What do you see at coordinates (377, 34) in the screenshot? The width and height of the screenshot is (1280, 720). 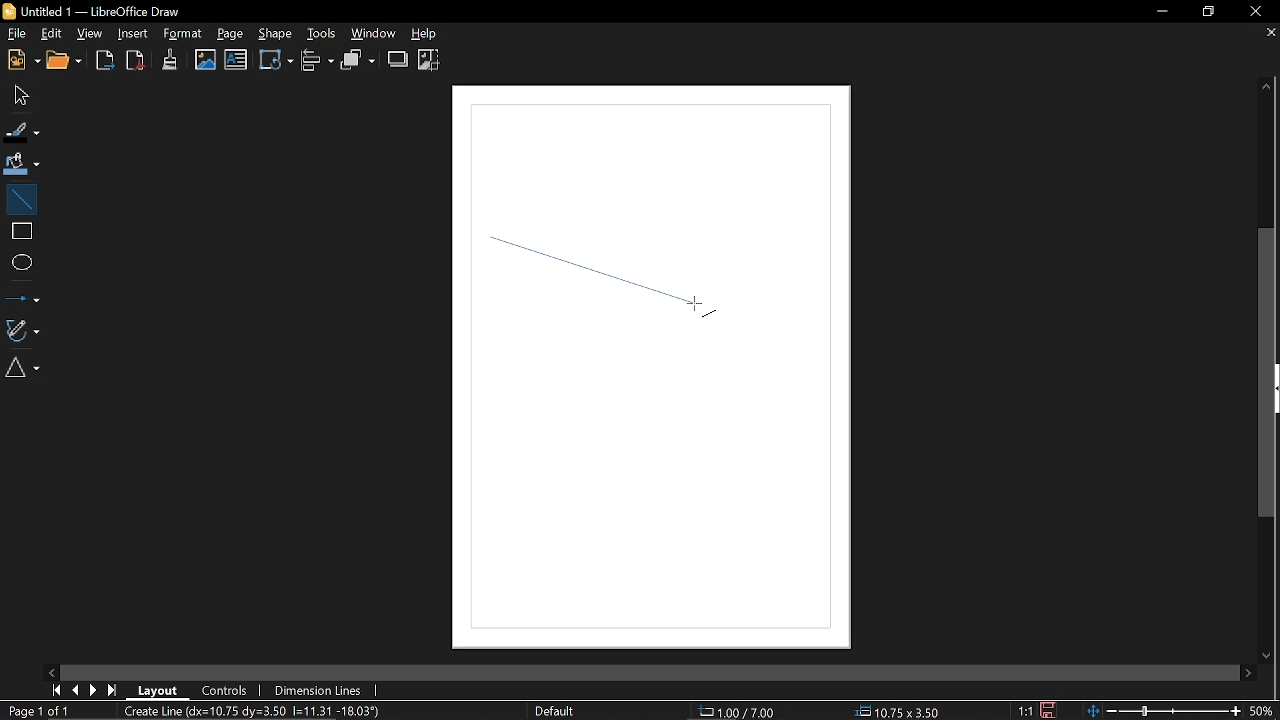 I see `Window` at bounding box center [377, 34].